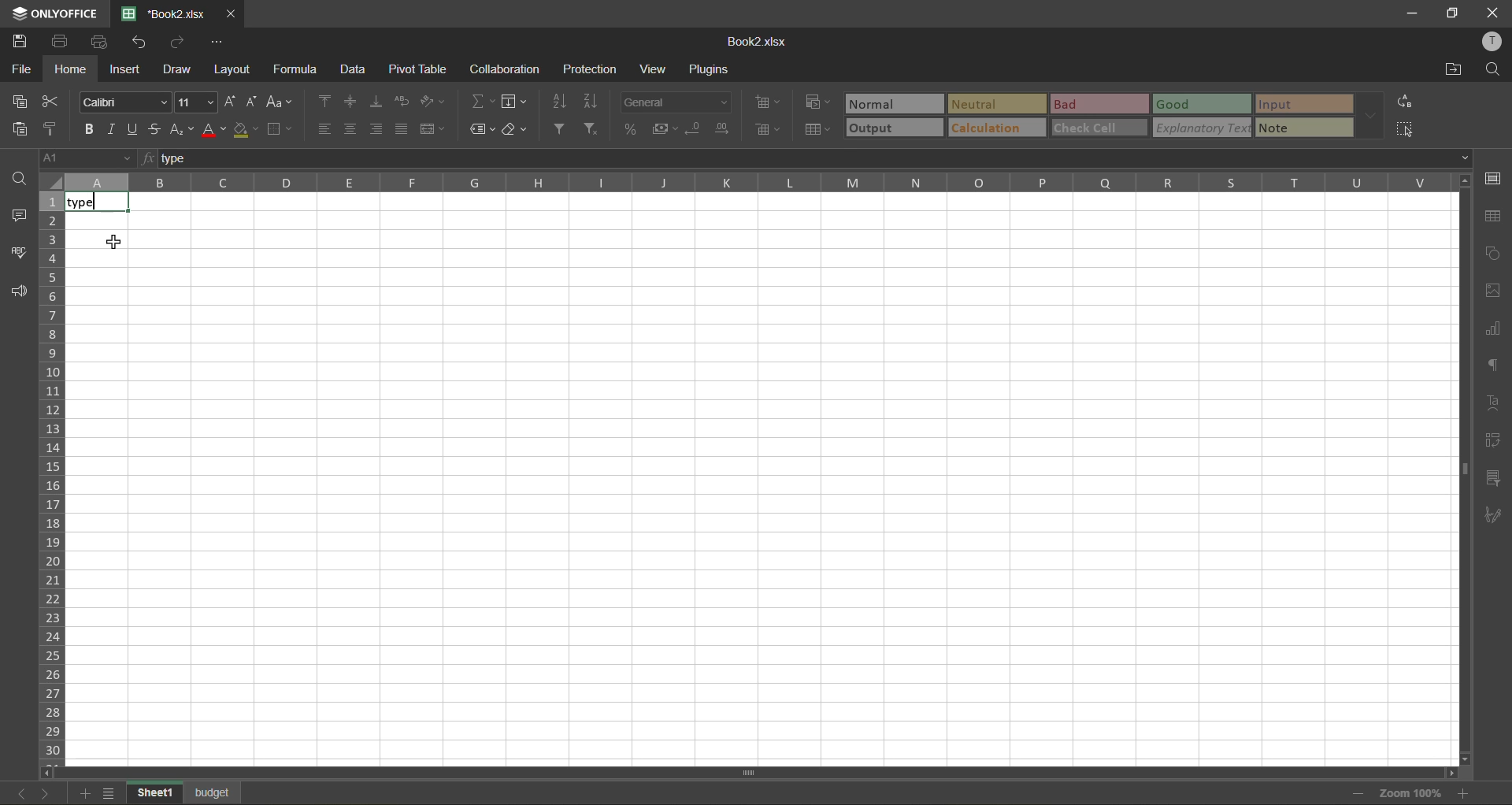 Image resolution: width=1512 pixels, height=805 pixels. What do you see at coordinates (180, 68) in the screenshot?
I see `draw` at bounding box center [180, 68].